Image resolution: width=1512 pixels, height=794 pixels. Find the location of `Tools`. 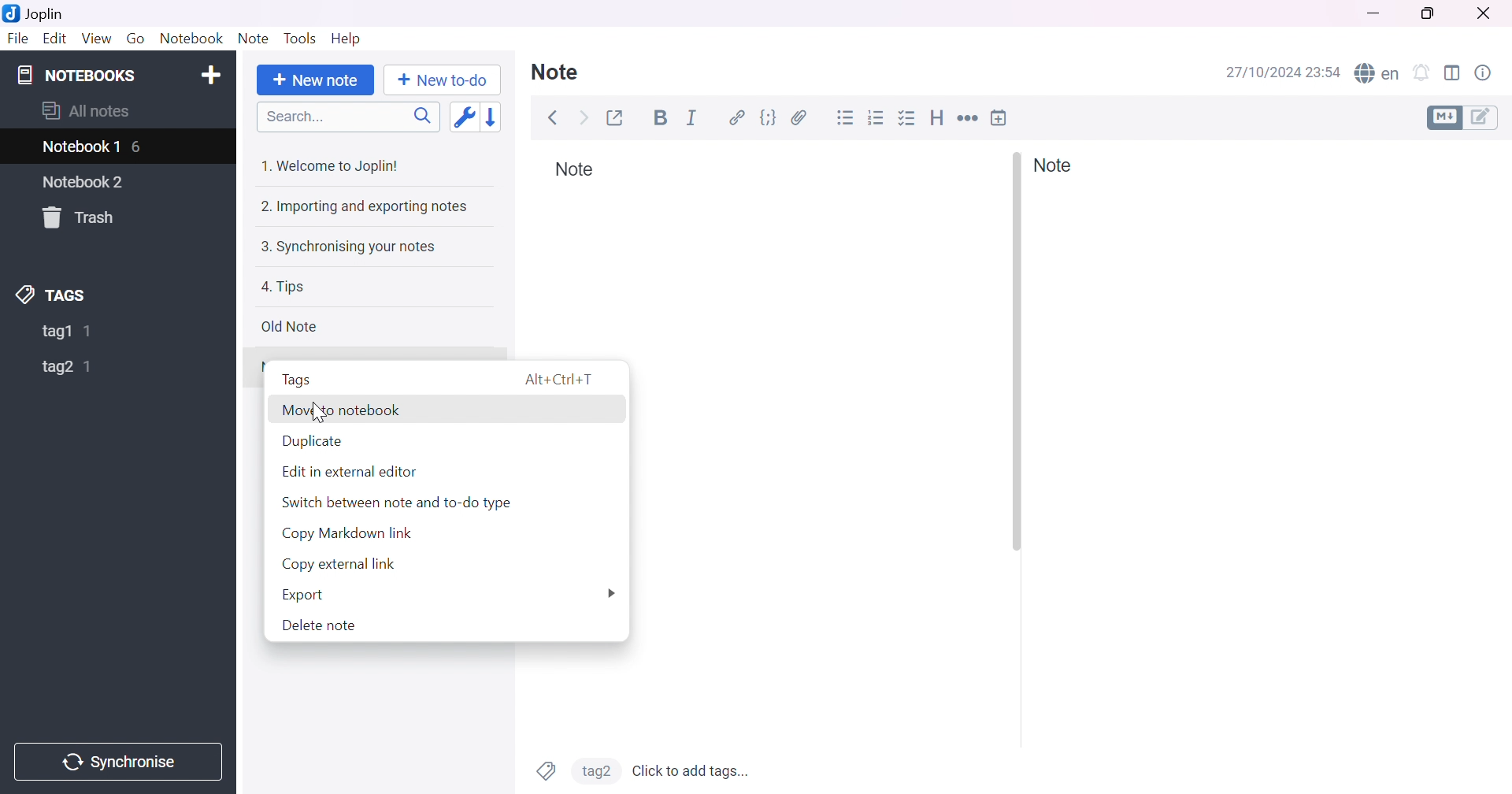

Tools is located at coordinates (298, 38).